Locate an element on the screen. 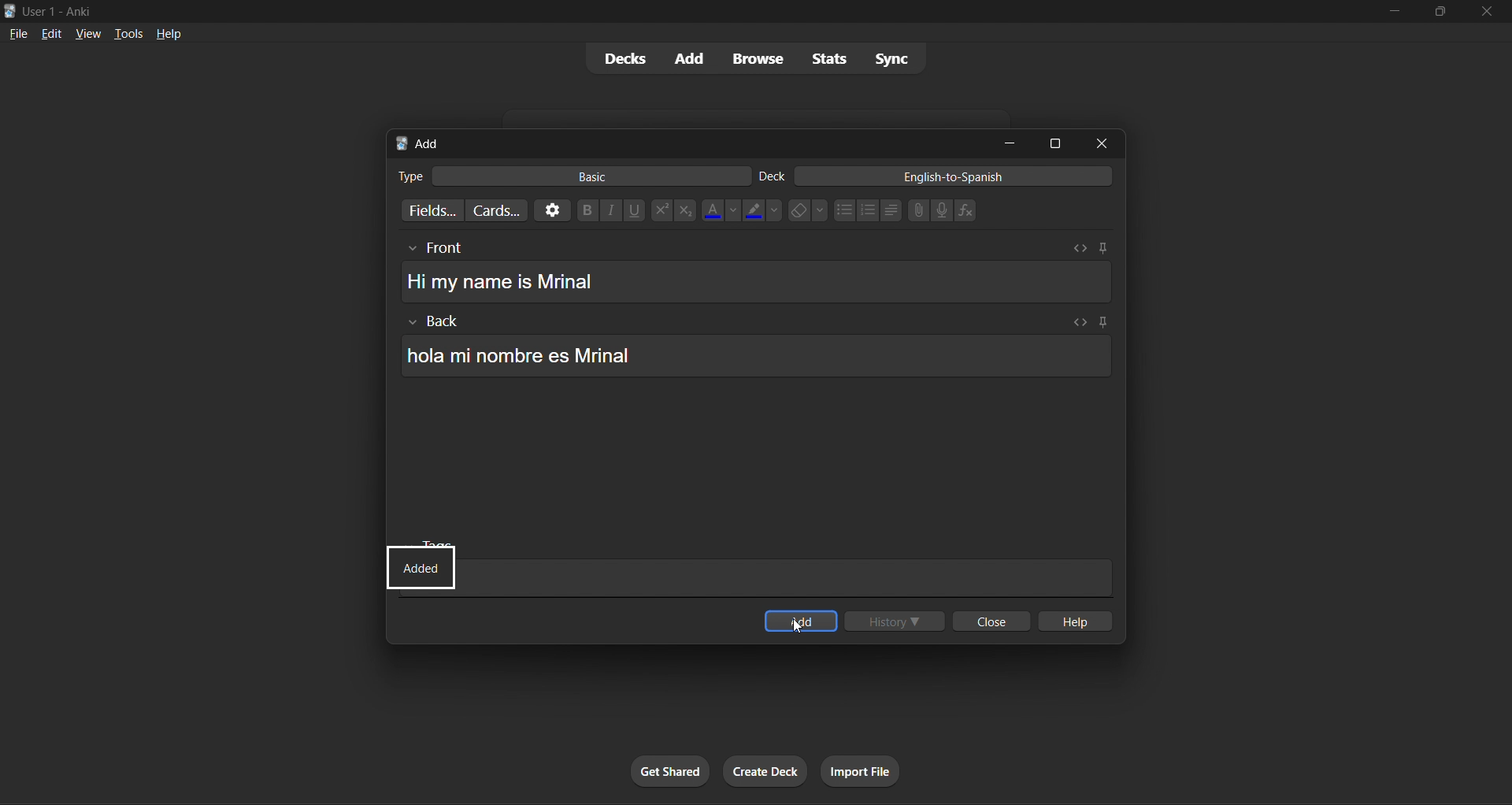 The height and width of the screenshot is (805, 1512). maximize is located at coordinates (1054, 143).